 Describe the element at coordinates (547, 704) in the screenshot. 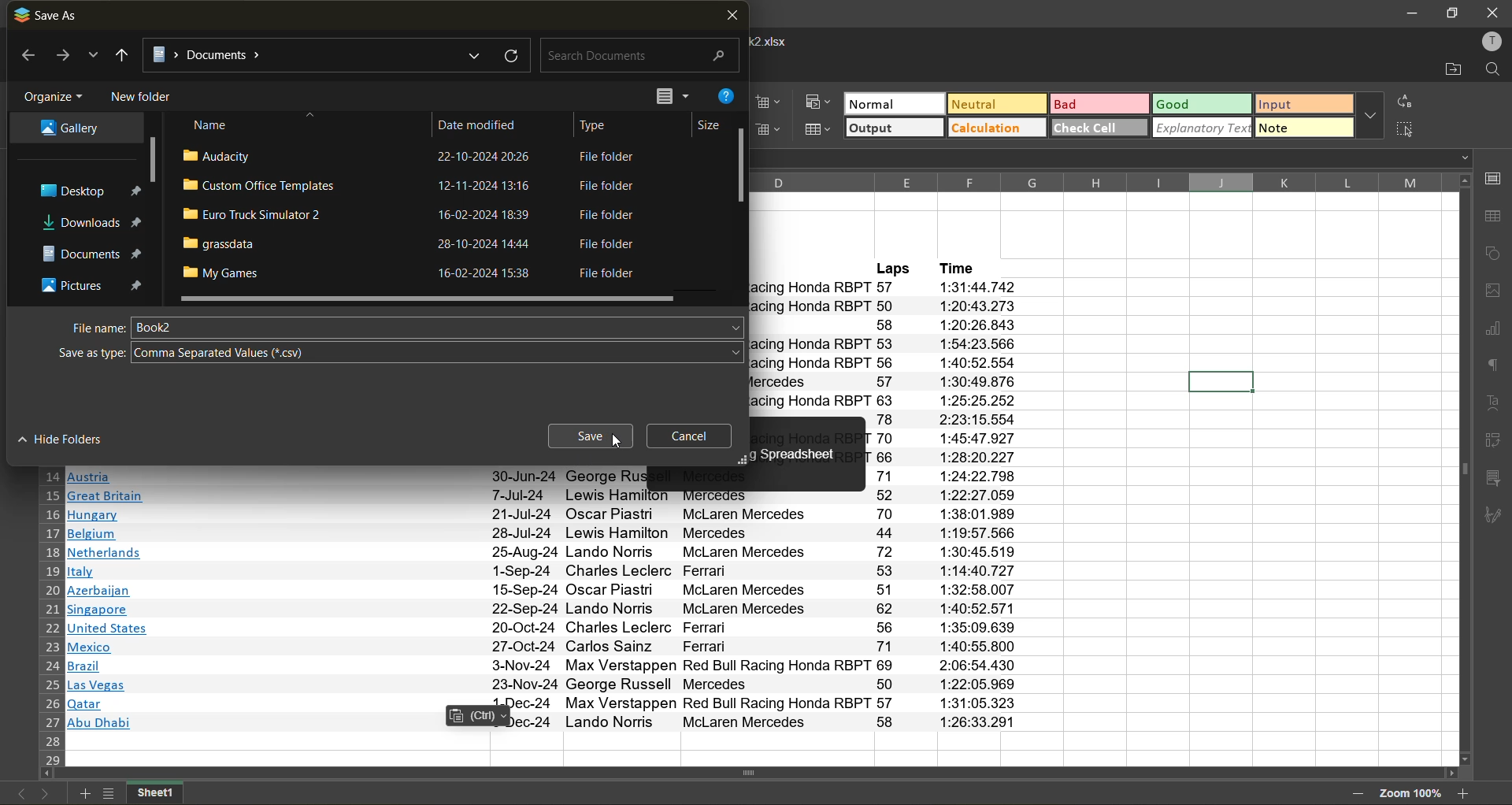

I see `text info` at that location.